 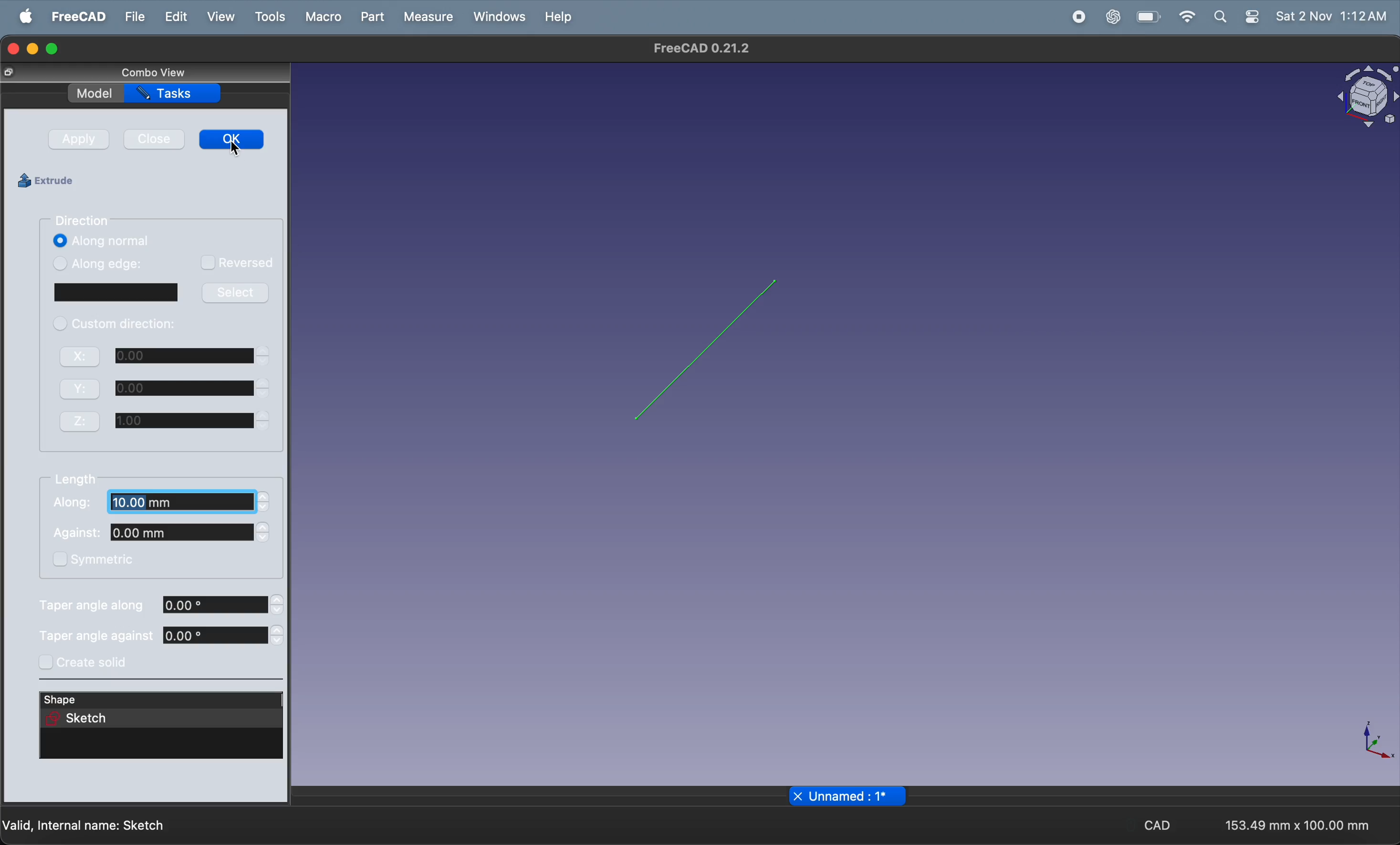 I want to click on 2D line, so click(x=711, y=349).